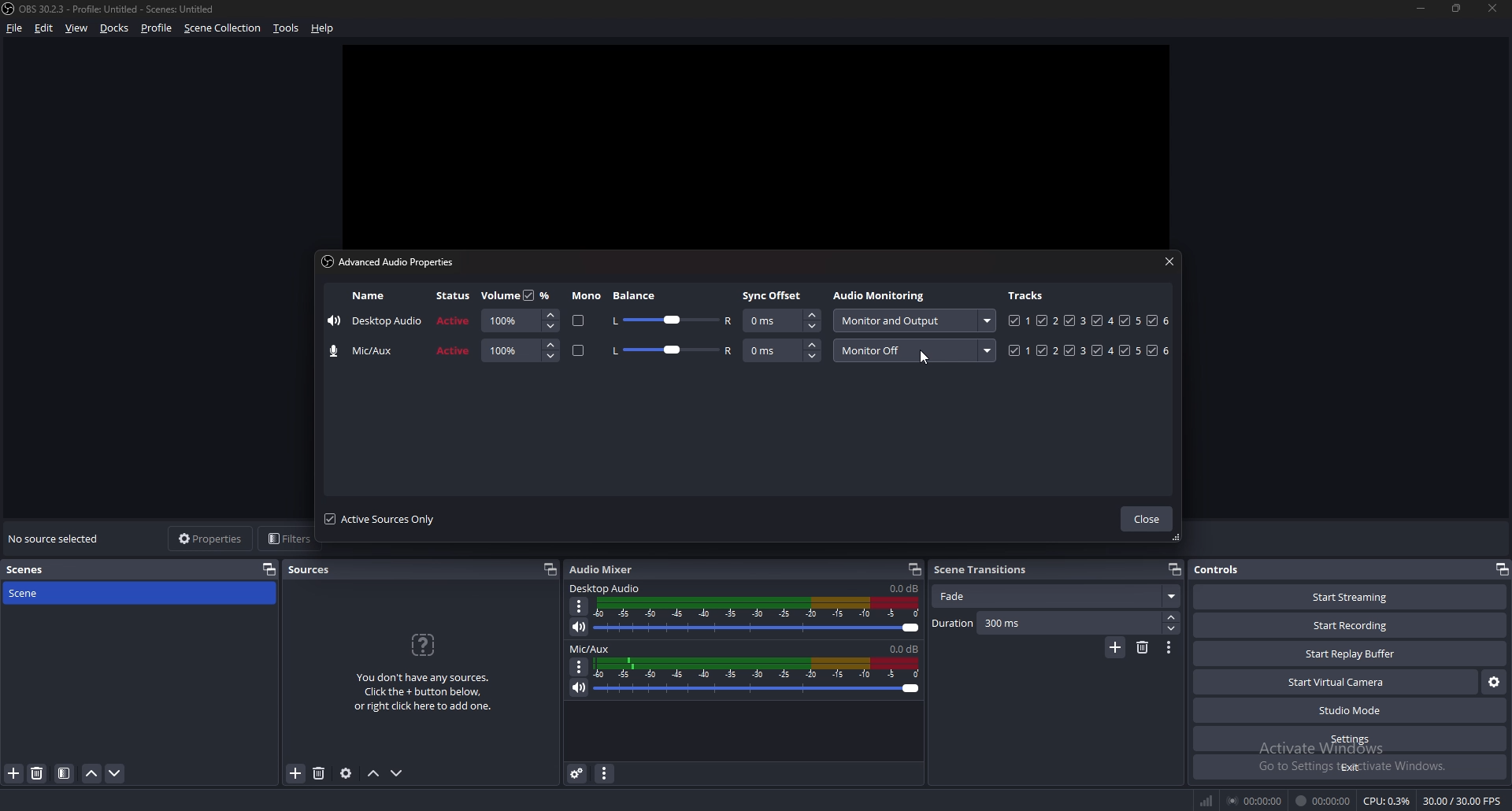  I want to click on mono, so click(579, 350).